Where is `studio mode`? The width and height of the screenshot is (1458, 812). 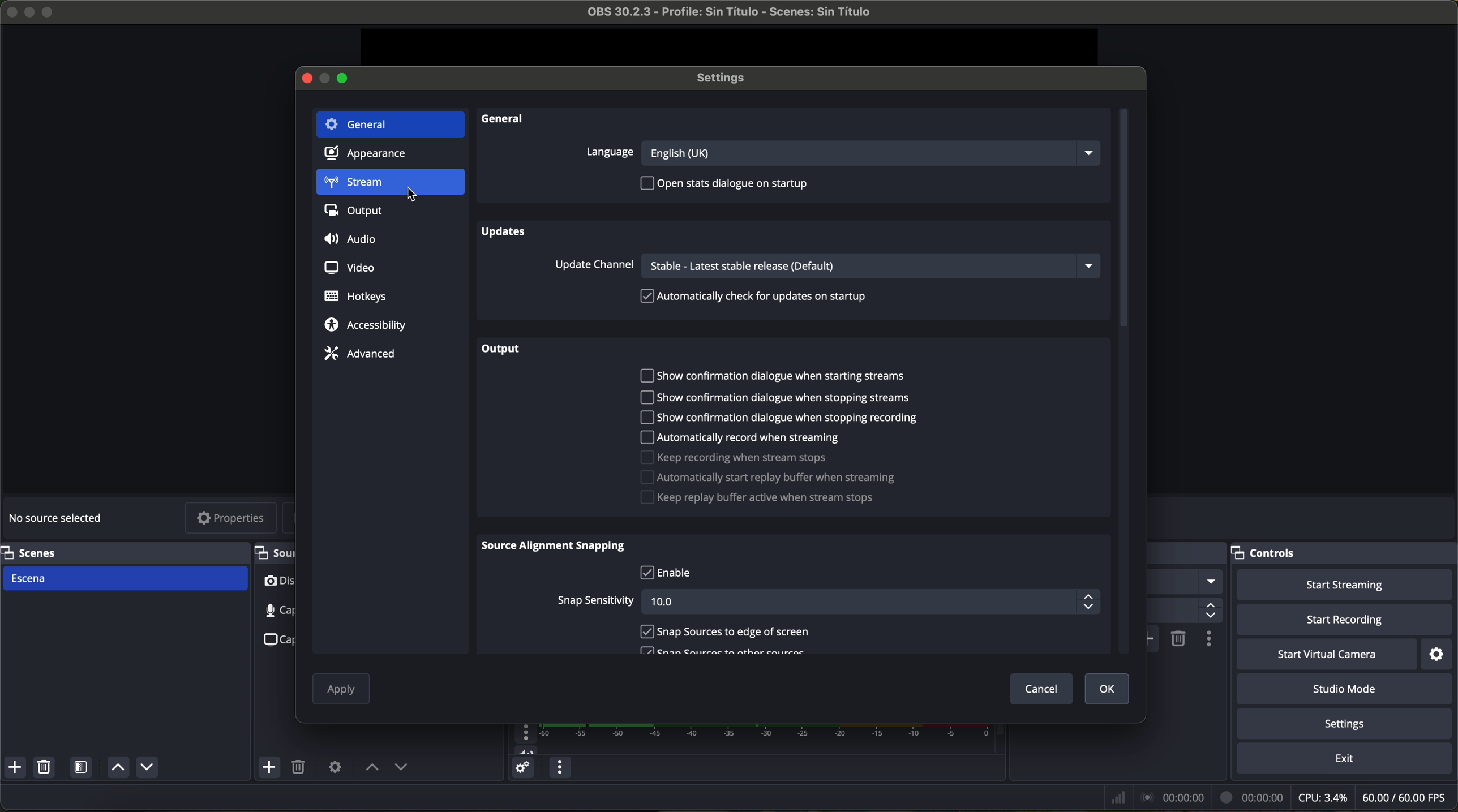
studio mode is located at coordinates (1349, 690).